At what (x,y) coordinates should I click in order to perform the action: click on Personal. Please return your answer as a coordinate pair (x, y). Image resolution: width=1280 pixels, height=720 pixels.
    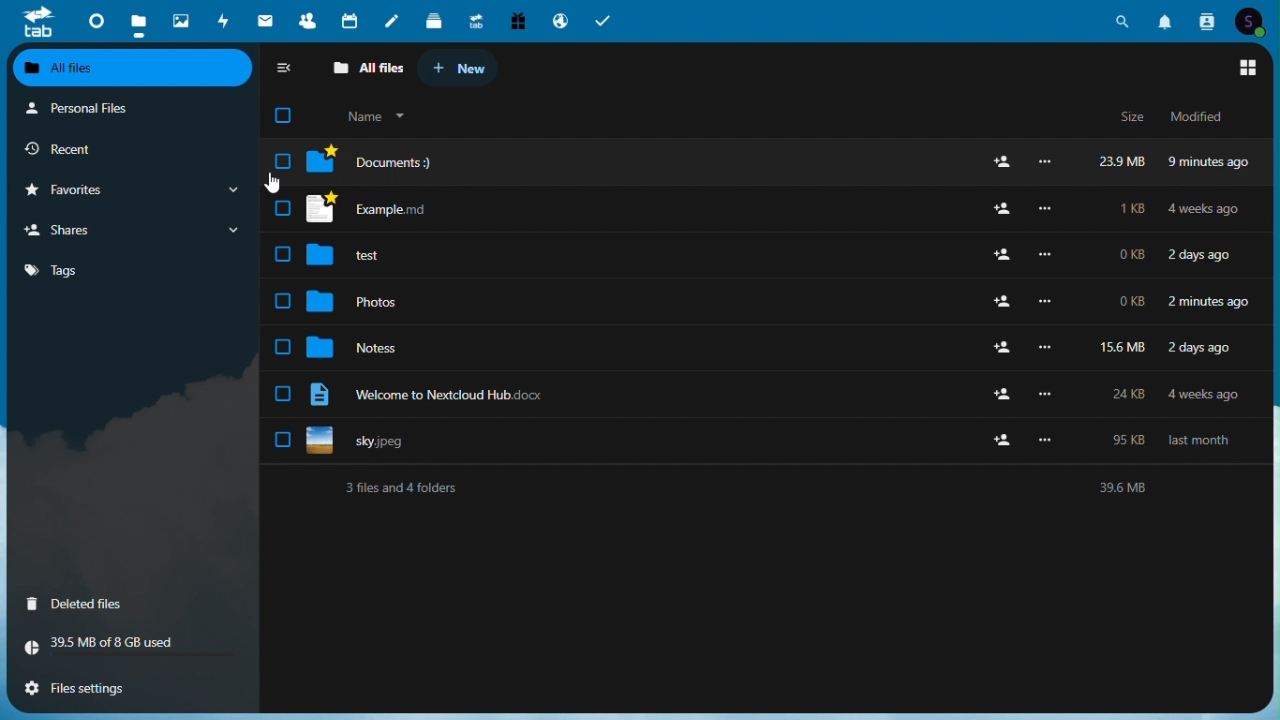
    Looking at the image, I should click on (127, 108).